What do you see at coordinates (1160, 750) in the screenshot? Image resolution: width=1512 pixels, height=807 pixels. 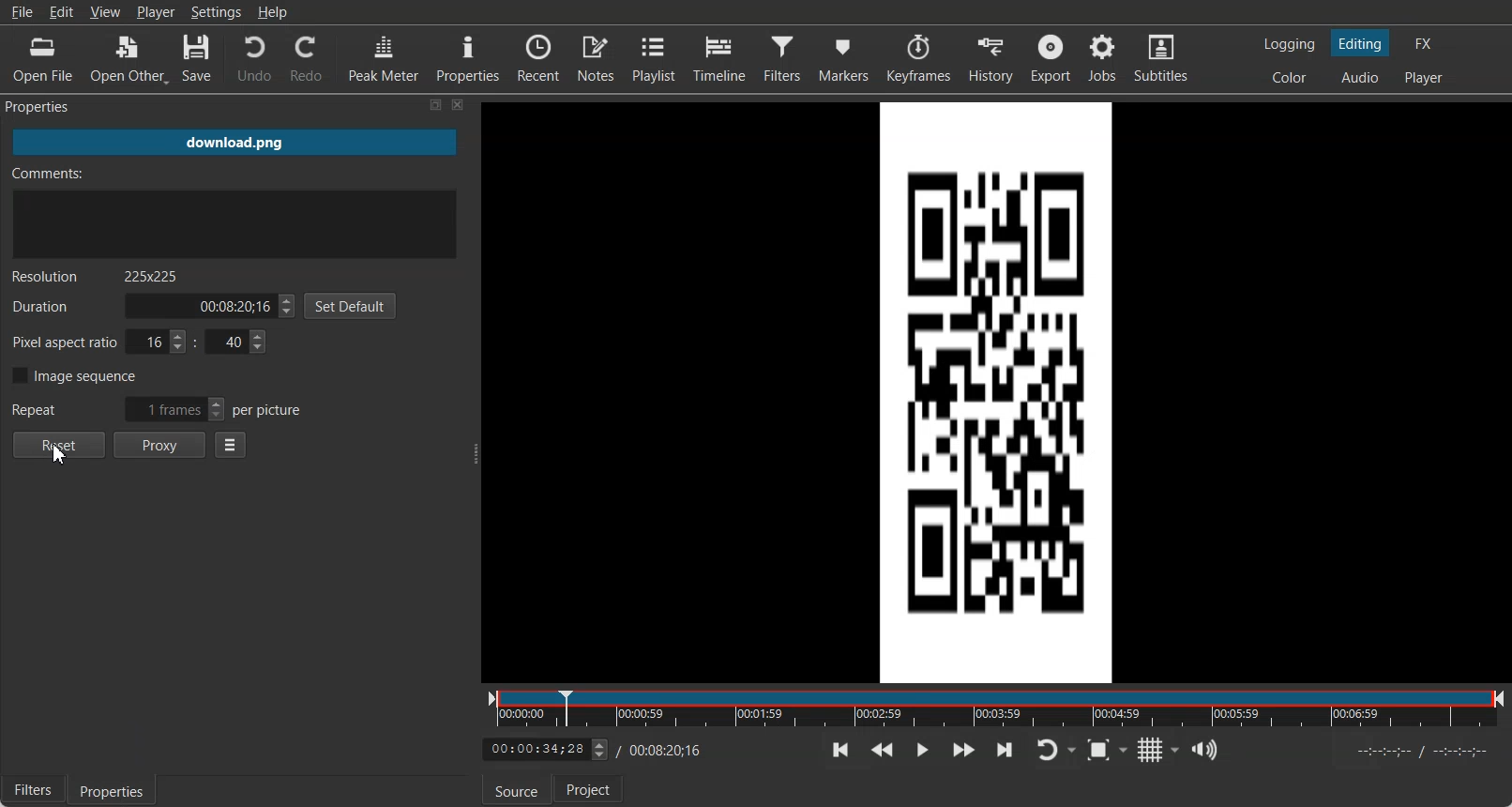 I see `Toggle grid display on the player` at bounding box center [1160, 750].